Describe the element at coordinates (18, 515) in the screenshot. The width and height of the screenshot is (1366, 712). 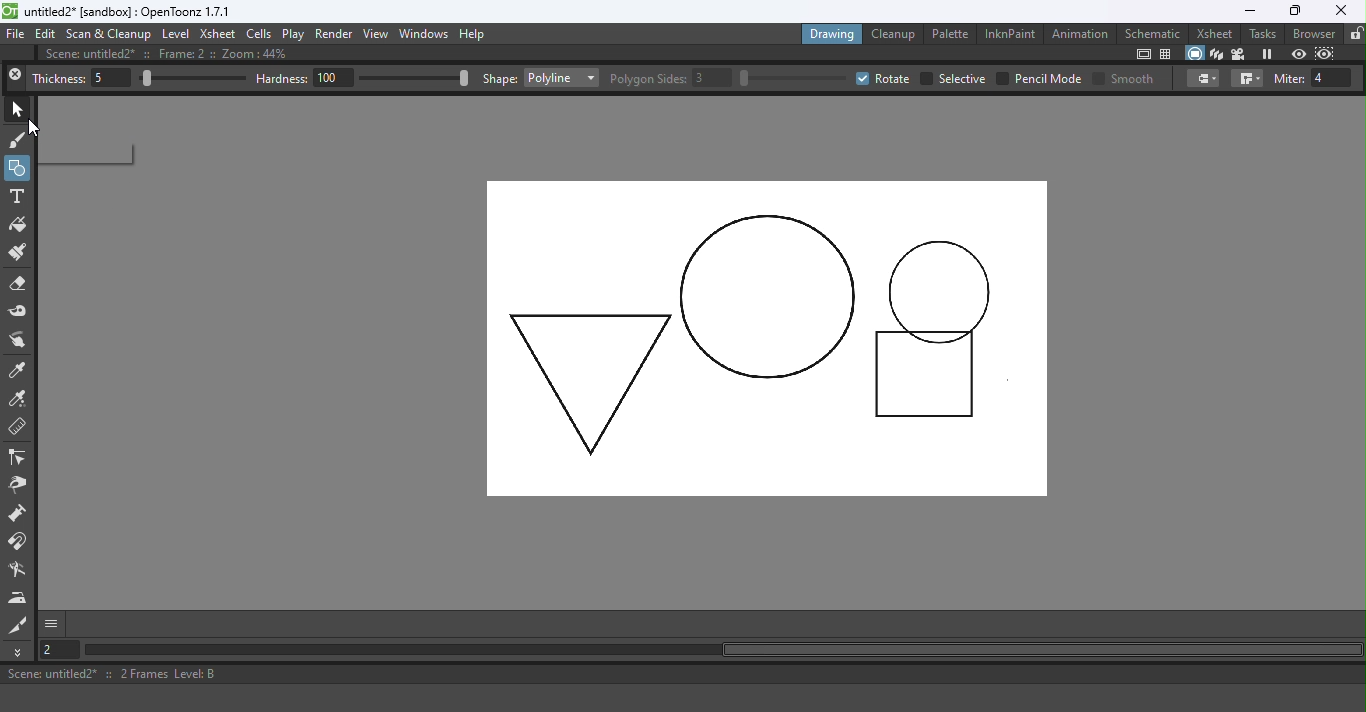
I see `Pump tool` at that location.